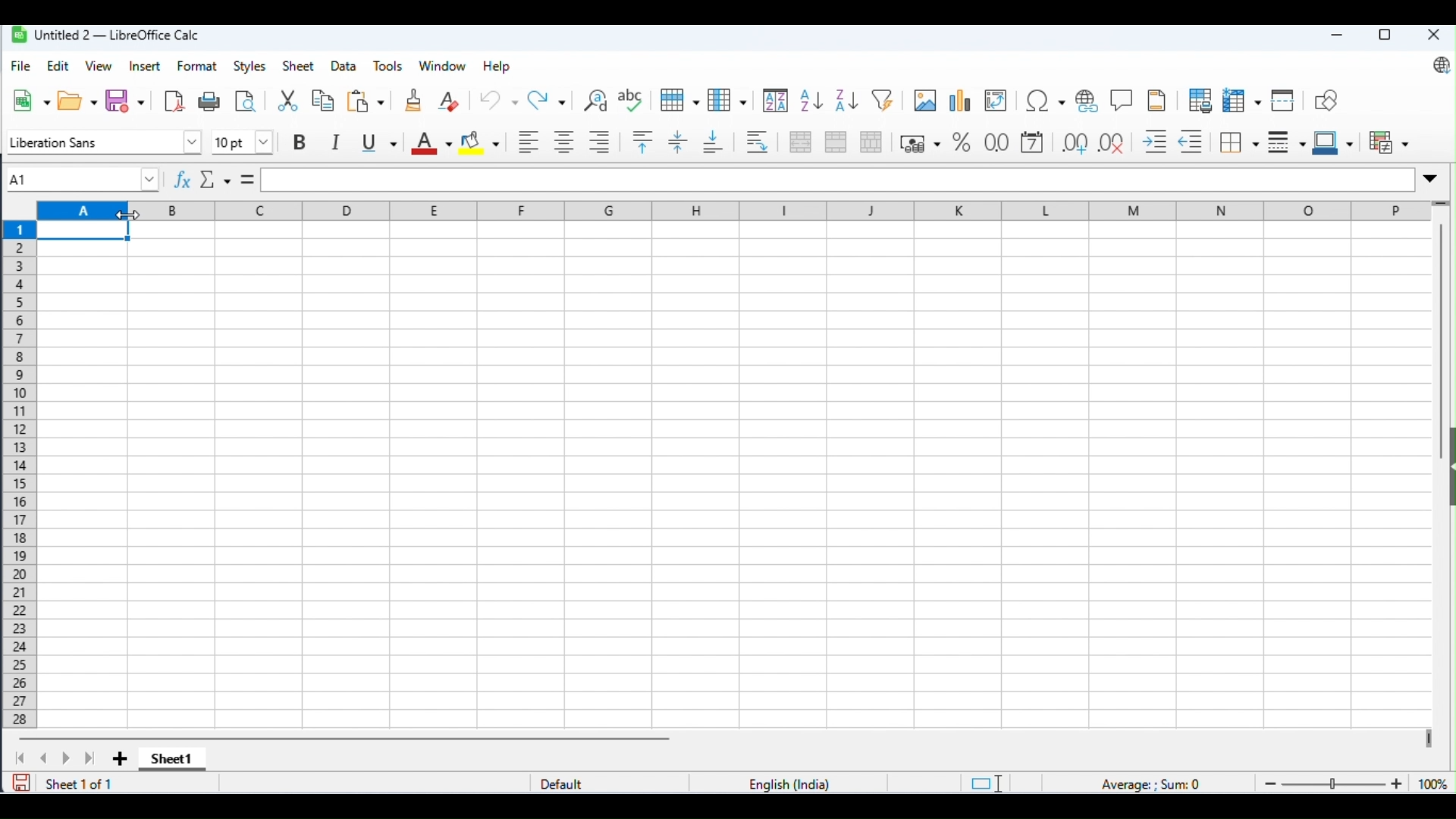 The height and width of the screenshot is (819, 1456). Describe the element at coordinates (959, 102) in the screenshot. I see `insert chart` at that location.